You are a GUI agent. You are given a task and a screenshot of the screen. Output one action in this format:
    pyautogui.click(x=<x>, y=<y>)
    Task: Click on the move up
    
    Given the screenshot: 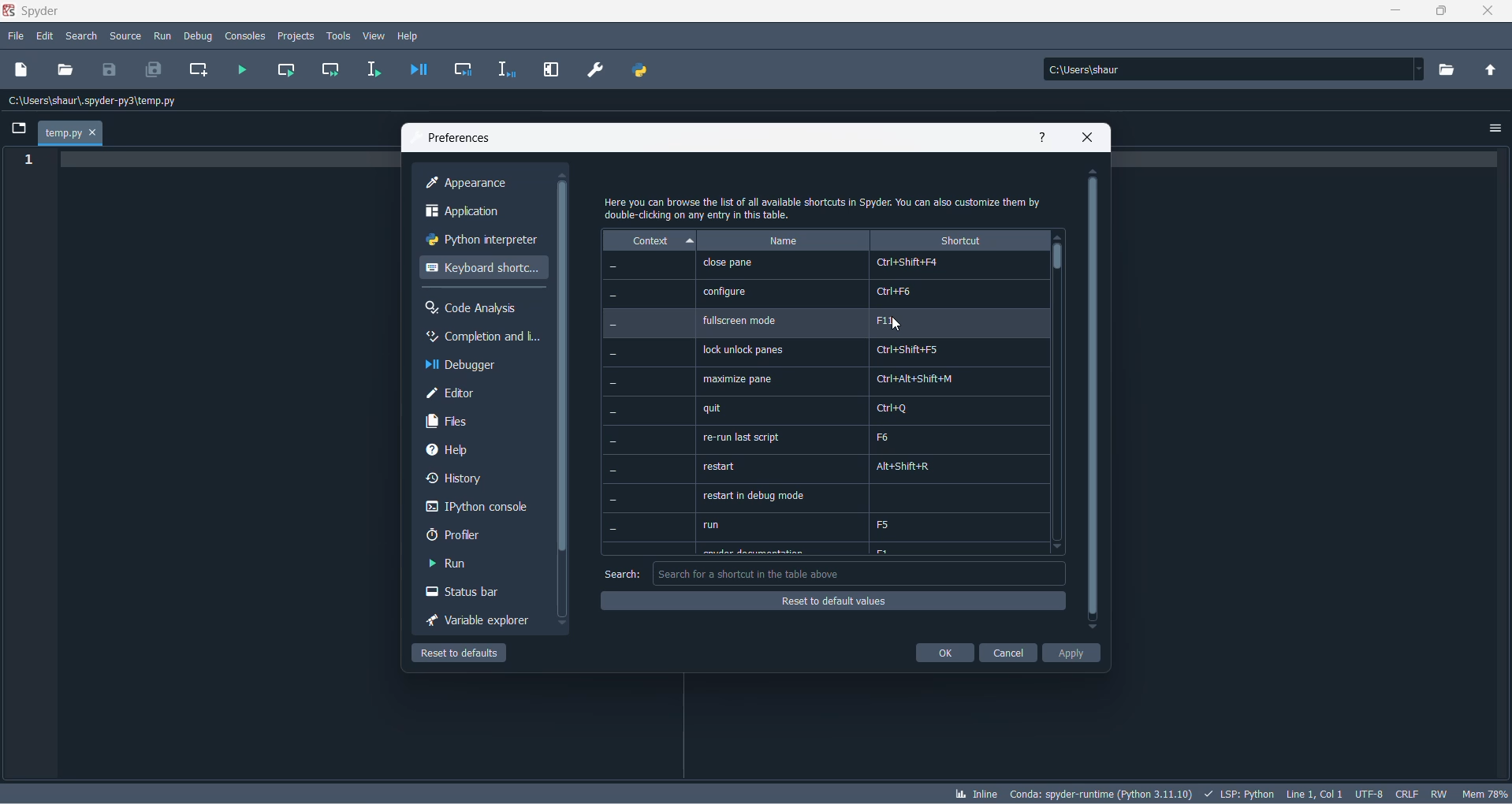 What is the action you would take?
    pyautogui.click(x=564, y=175)
    